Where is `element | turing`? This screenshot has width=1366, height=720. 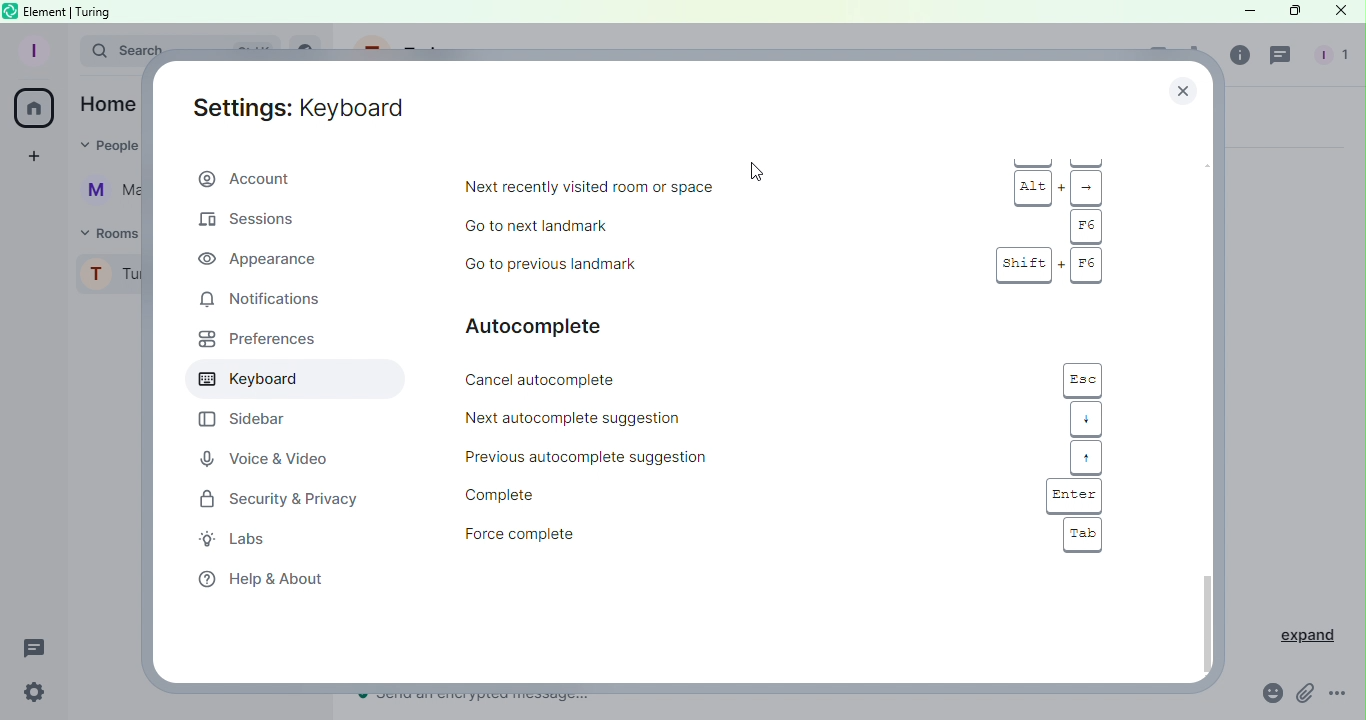 element | turing is located at coordinates (68, 11).